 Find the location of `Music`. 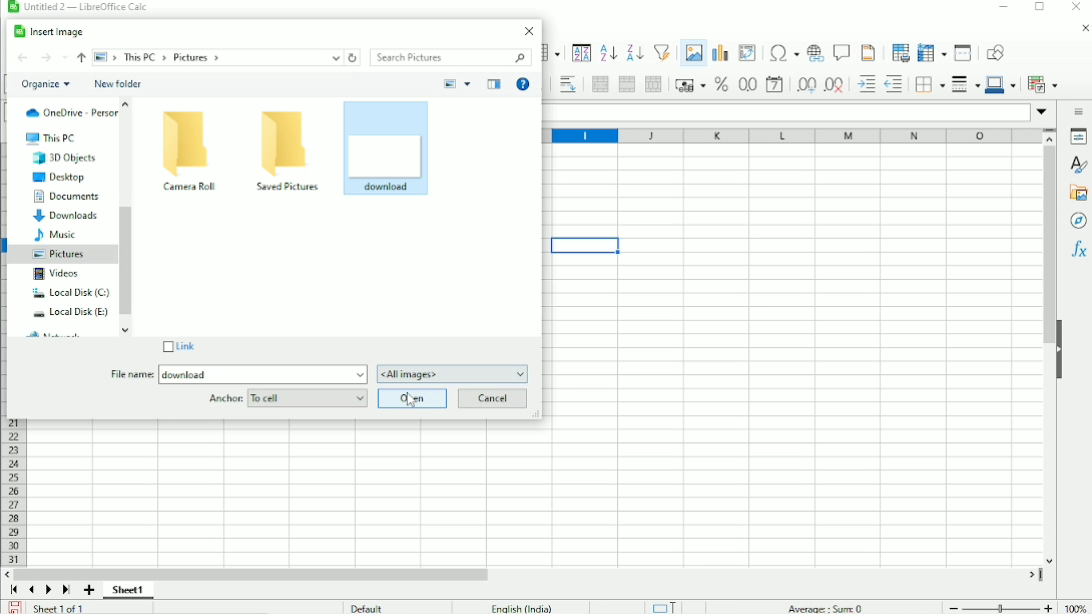

Music is located at coordinates (54, 234).